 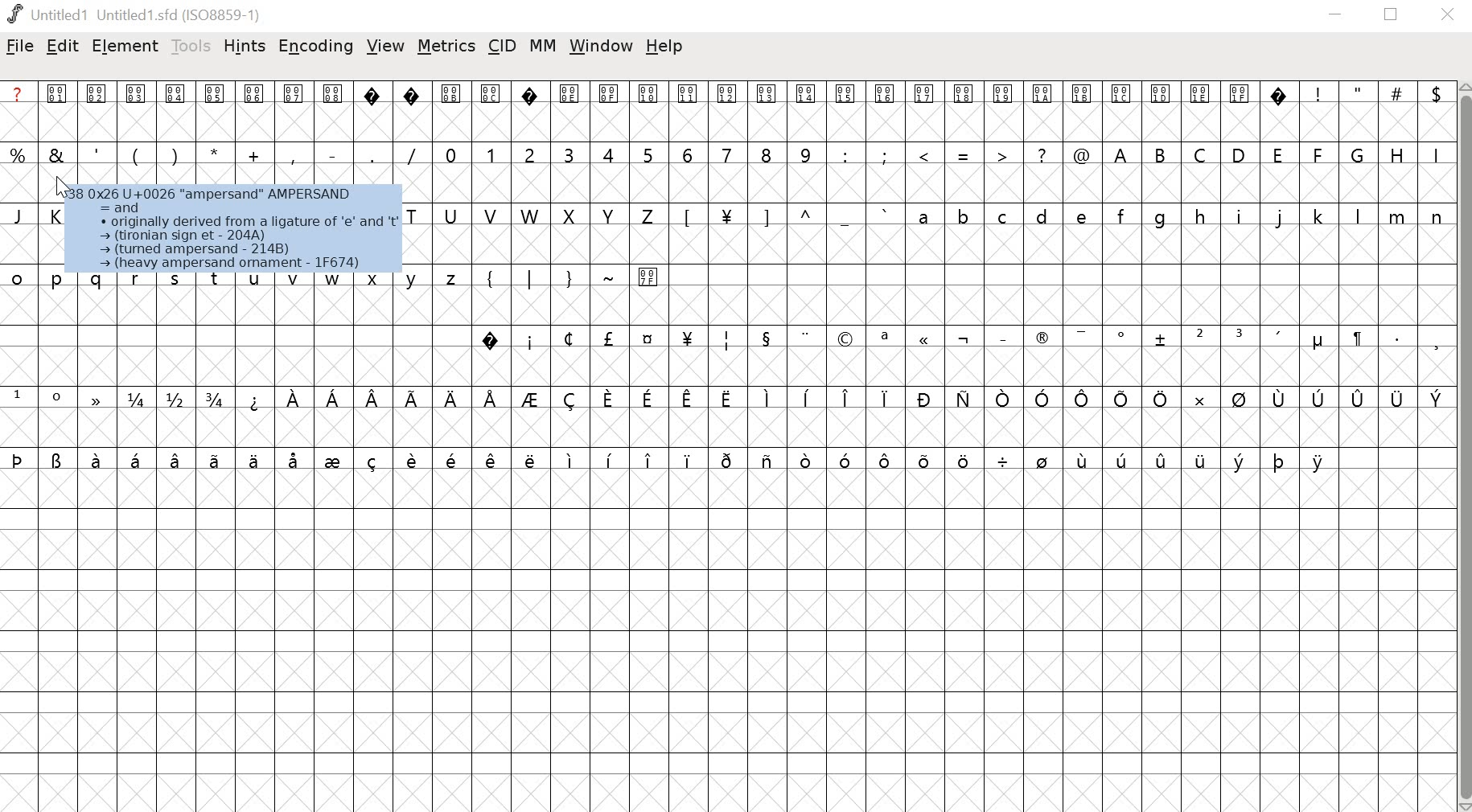 What do you see at coordinates (21, 46) in the screenshot?
I see `file` at bounding box center [21, 46].